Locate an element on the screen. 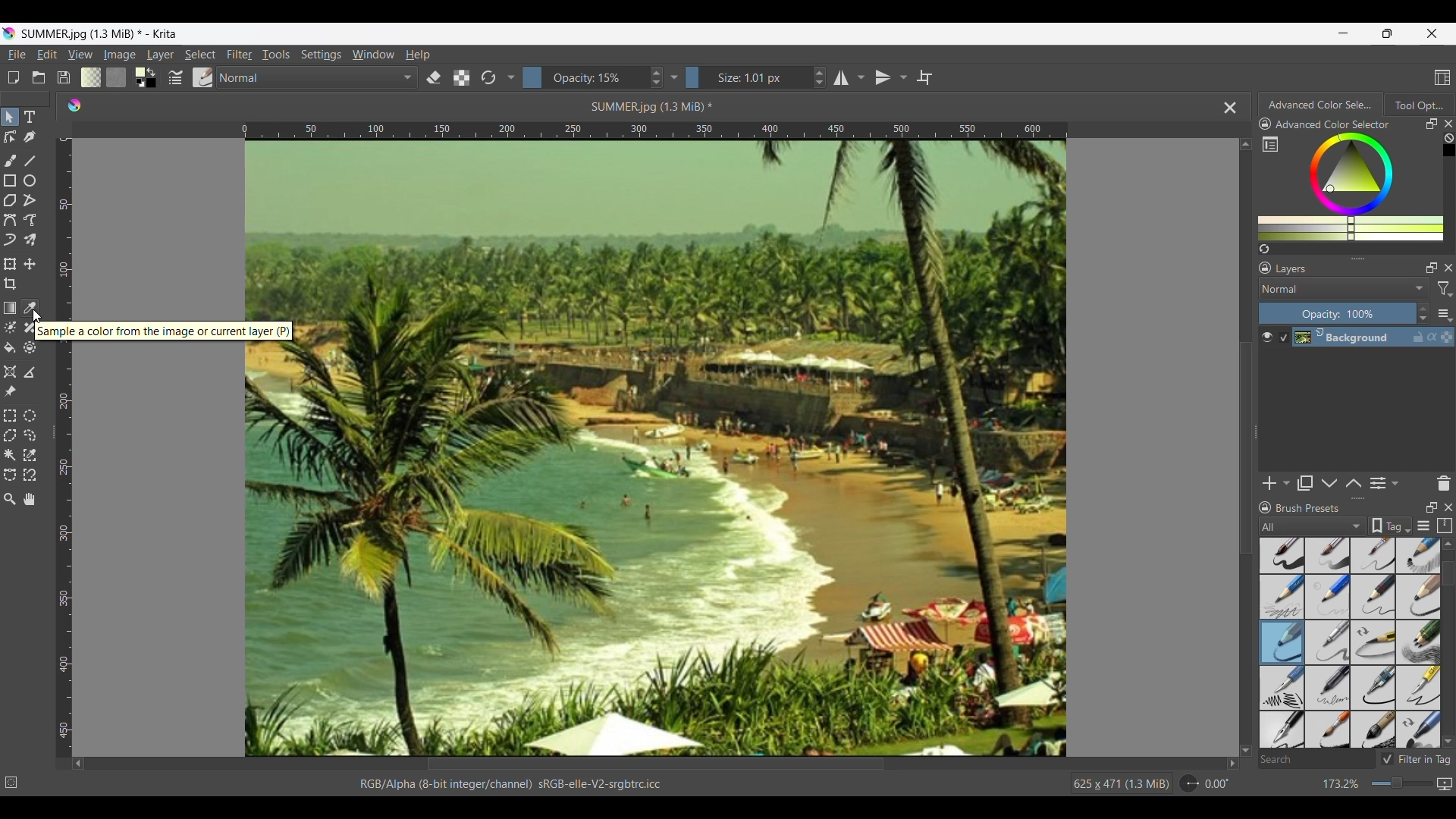  Horizontal mirror tool is located at coordinates (839, 77).